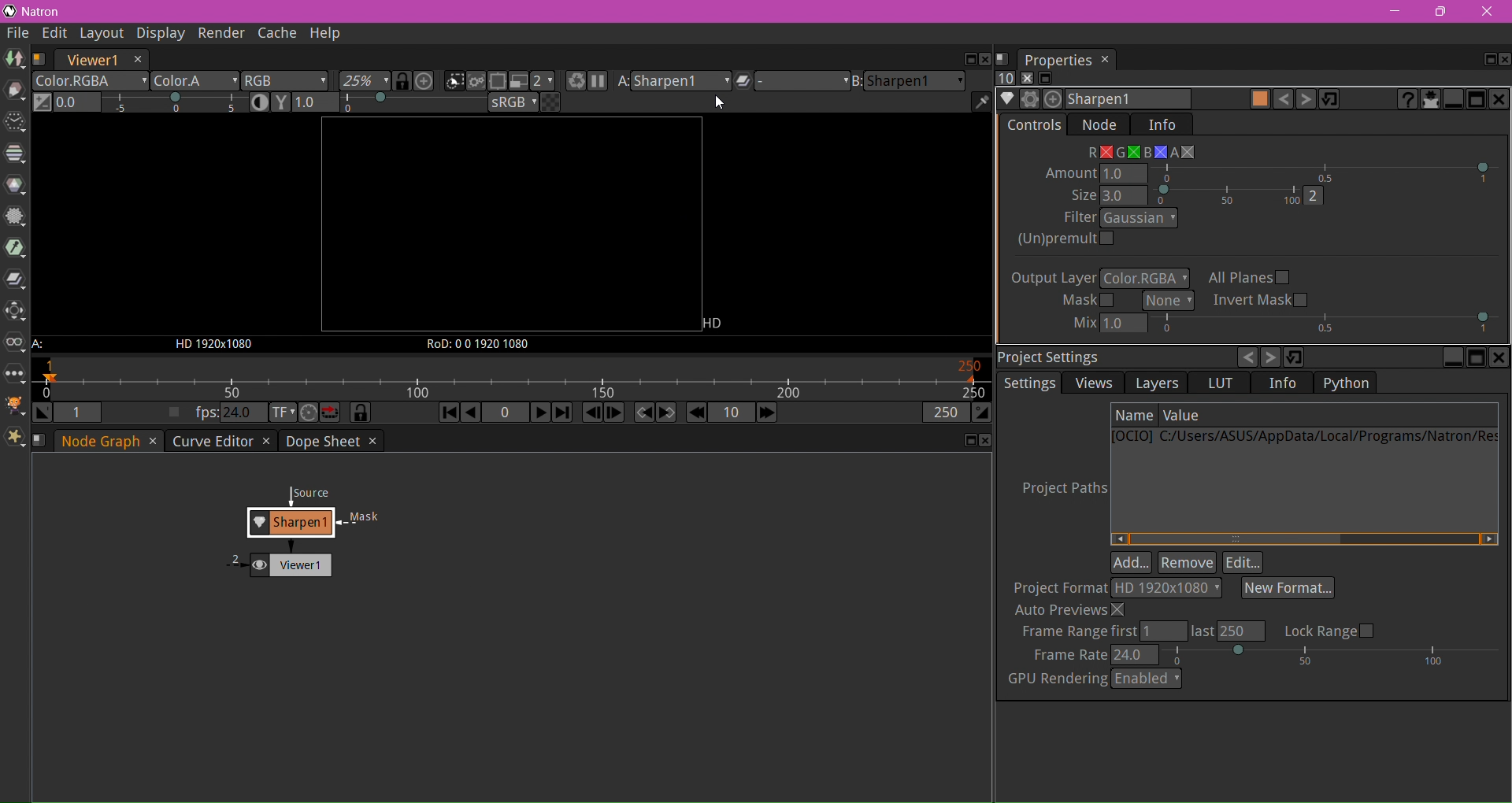  What do you see at coordinates (1199, 631) in the screenshot?
I see `Frame Range first 1 last 250 Lock Range` at bounding box center [1199, 631].